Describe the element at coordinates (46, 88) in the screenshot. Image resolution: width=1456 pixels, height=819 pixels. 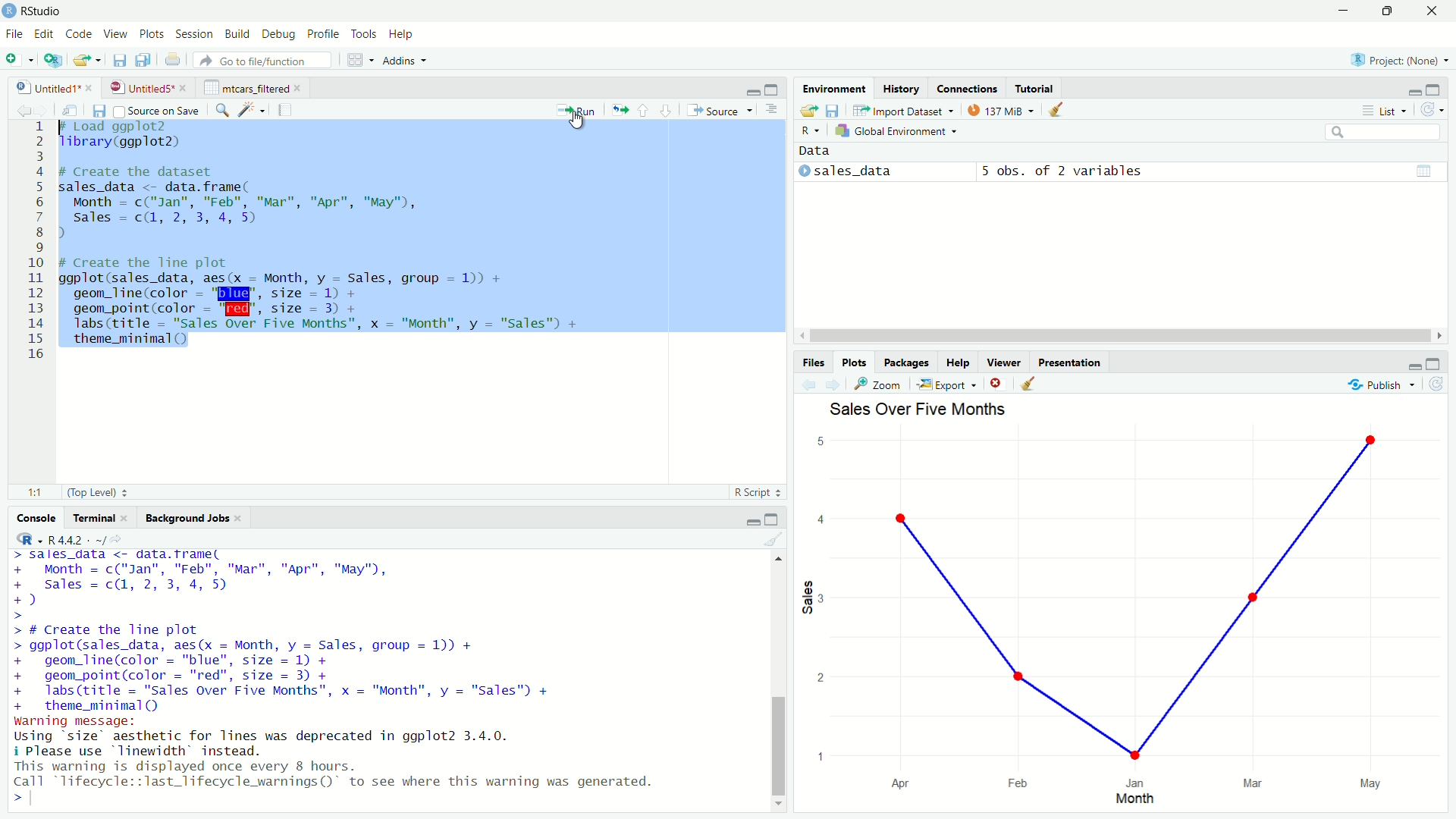
I see `untitled1` at that location.